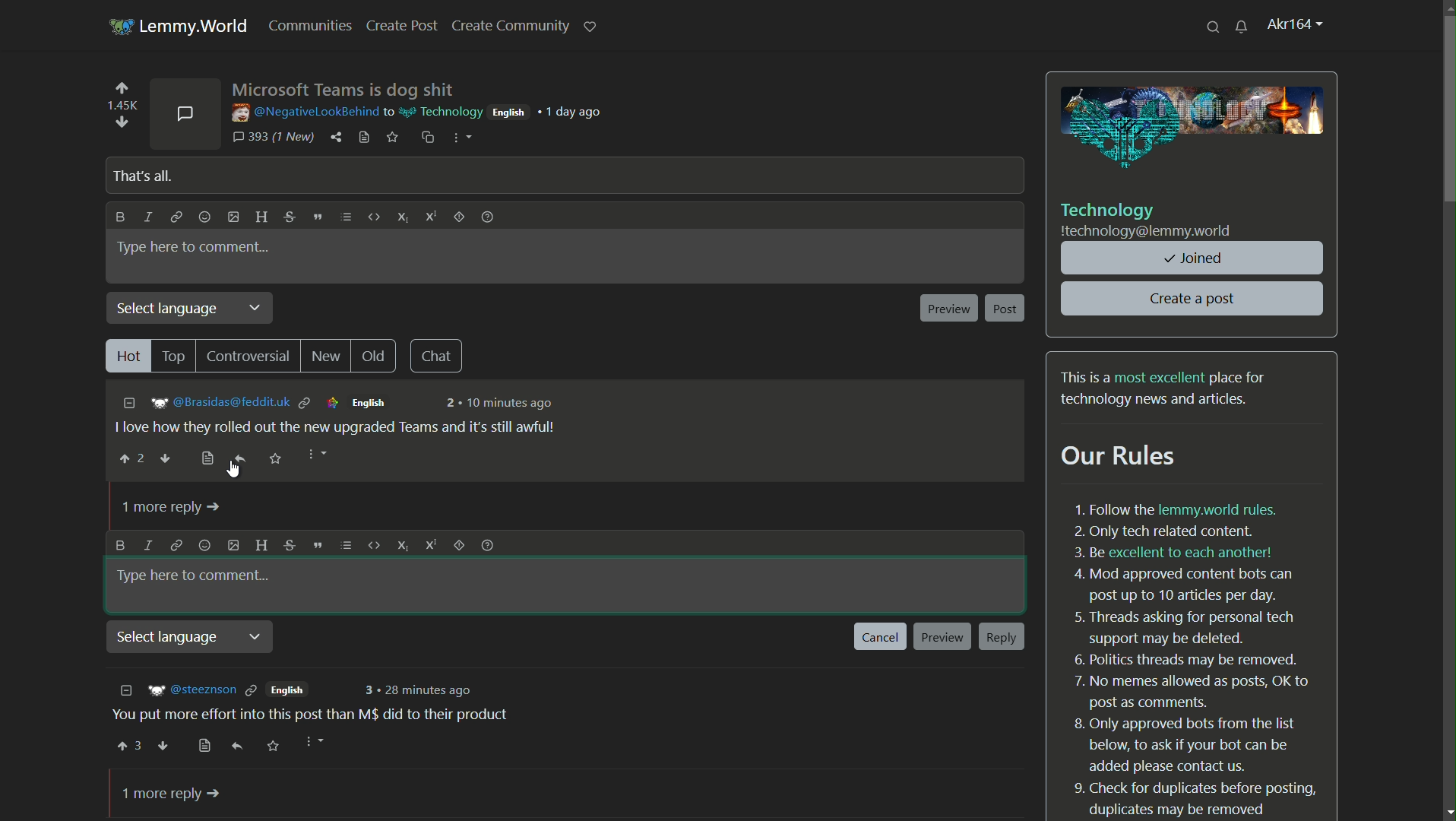 Image resolution: width=1456 pixels, height=821 pixels. Describe the element at coordinates (249, 357) in the screenshot. I see `controversial` at that location.